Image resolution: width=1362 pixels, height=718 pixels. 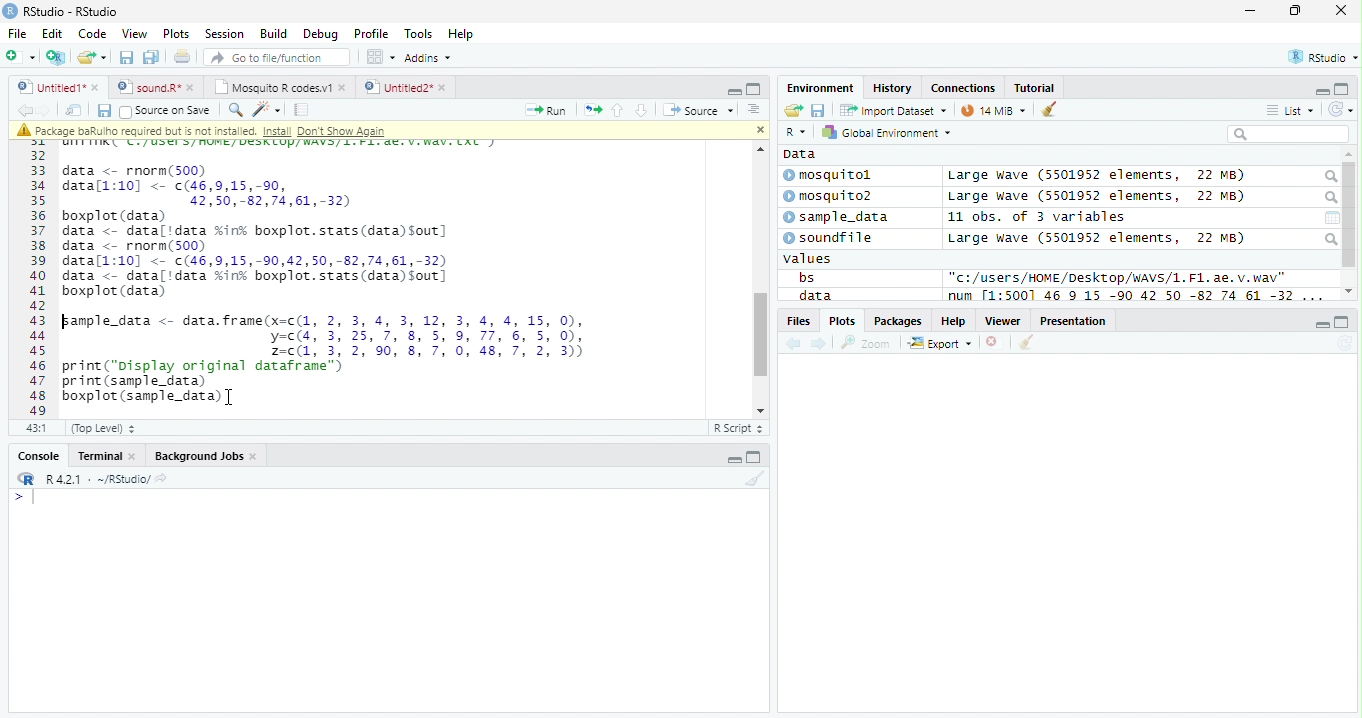 What do you see at coordinates (829, 238) in the screenshot?
I see `soundfile` at bounding box center [829, 238].